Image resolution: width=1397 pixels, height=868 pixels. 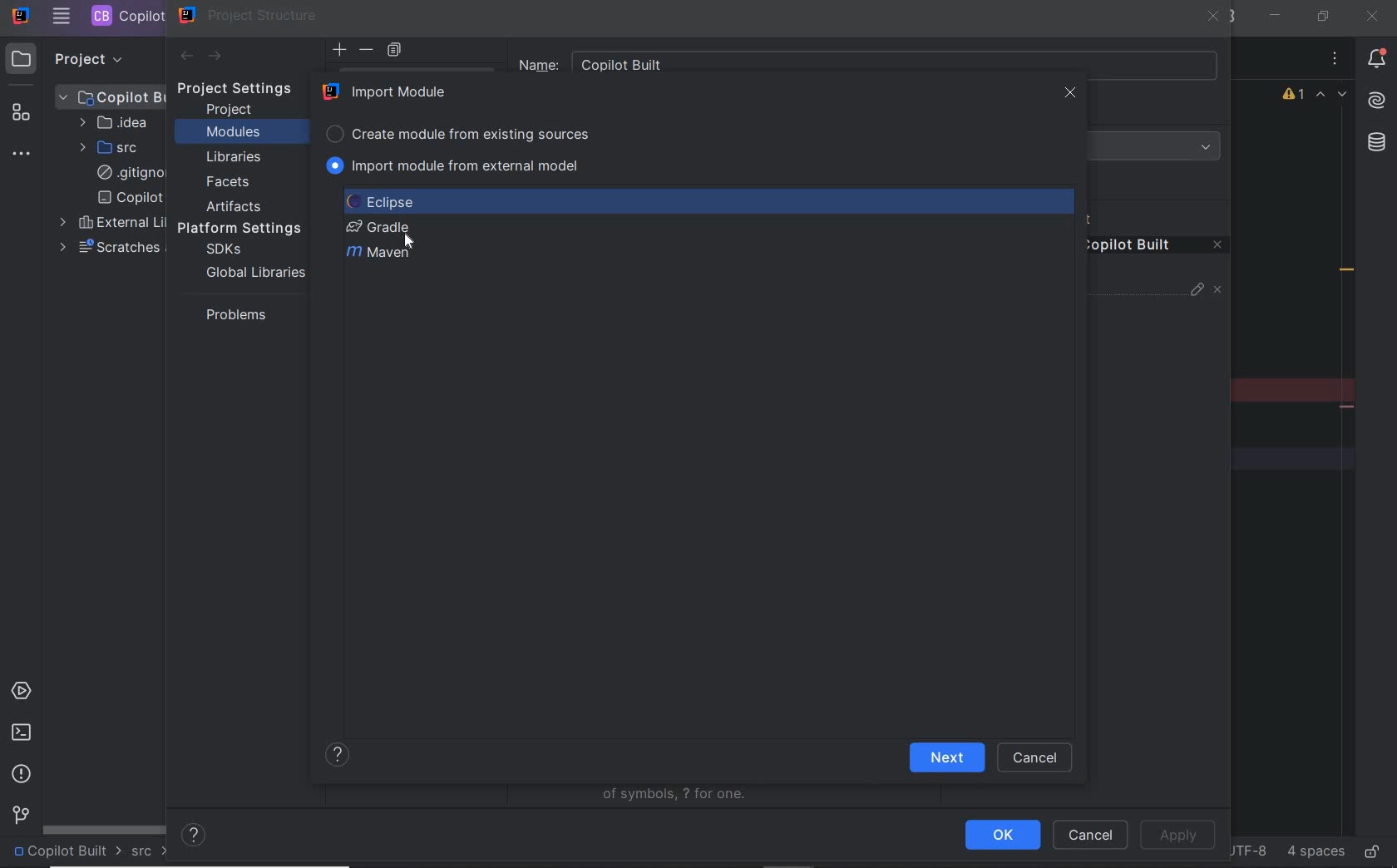 What do you see at coordinates (1158, 248) in the screenshot?
I see `remove content entry` at bounding box center [1158, 248].